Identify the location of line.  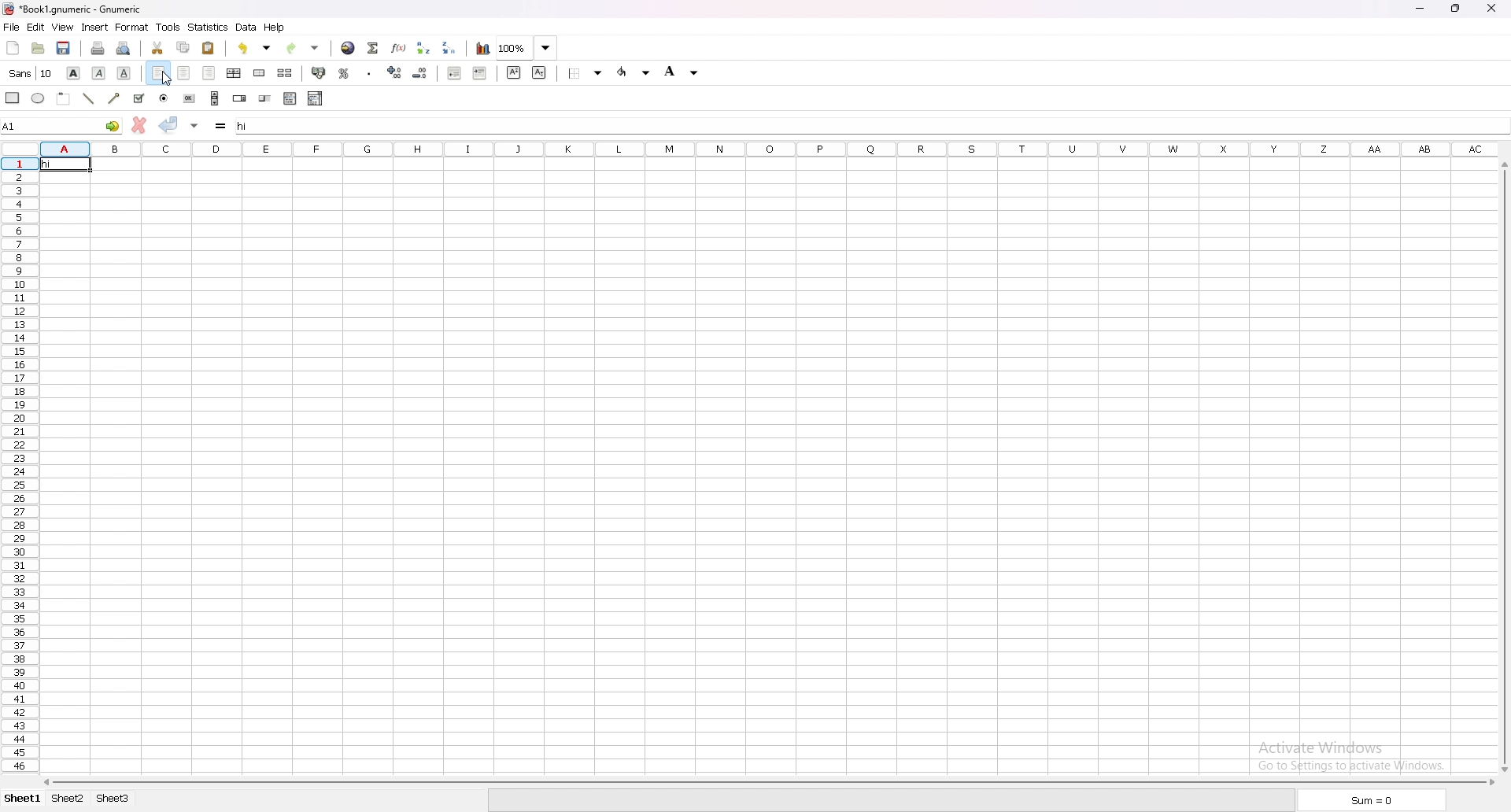
(89, 98).